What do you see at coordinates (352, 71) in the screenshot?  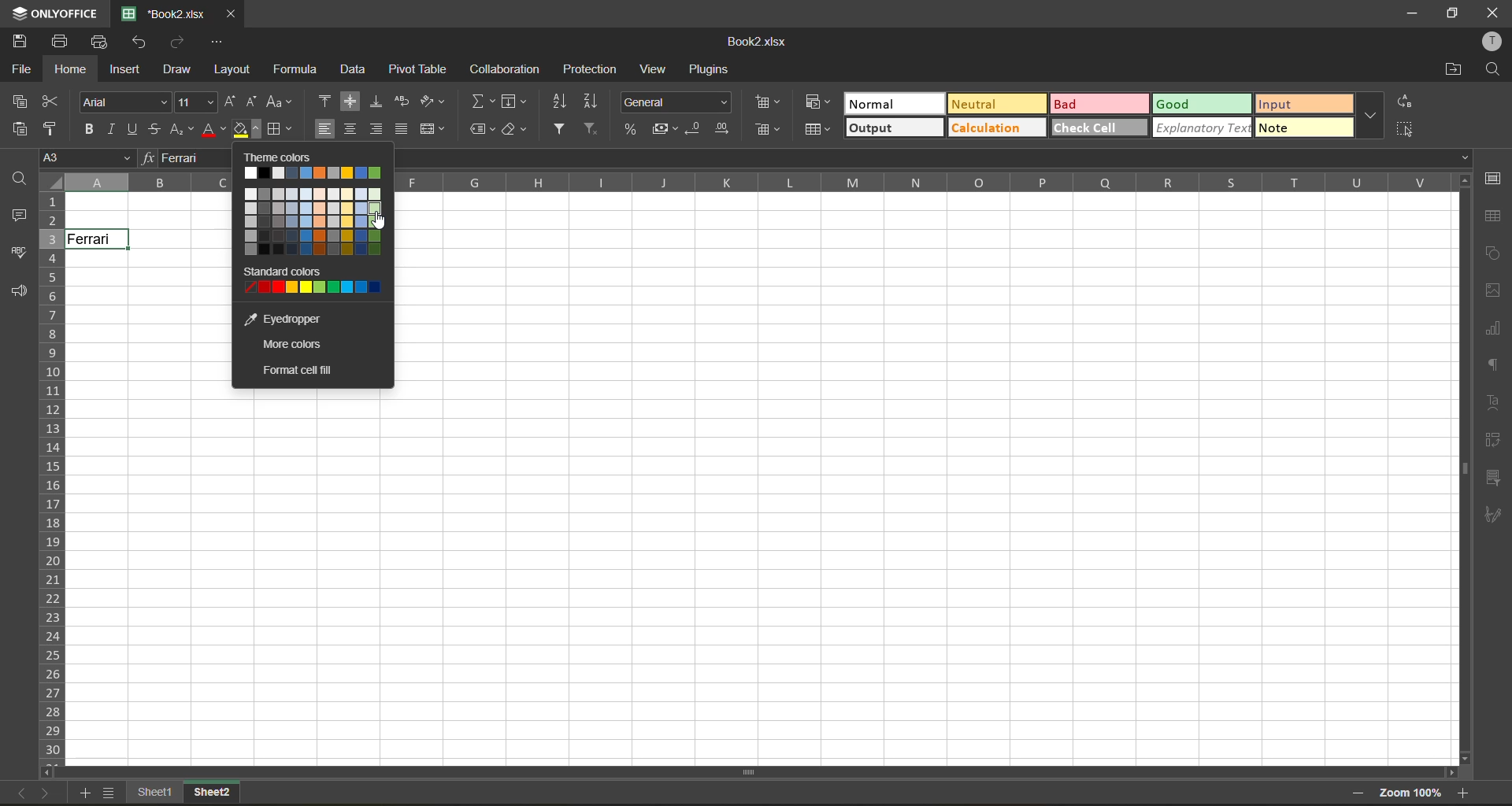 I see `data` at bounding box center [352, 71].